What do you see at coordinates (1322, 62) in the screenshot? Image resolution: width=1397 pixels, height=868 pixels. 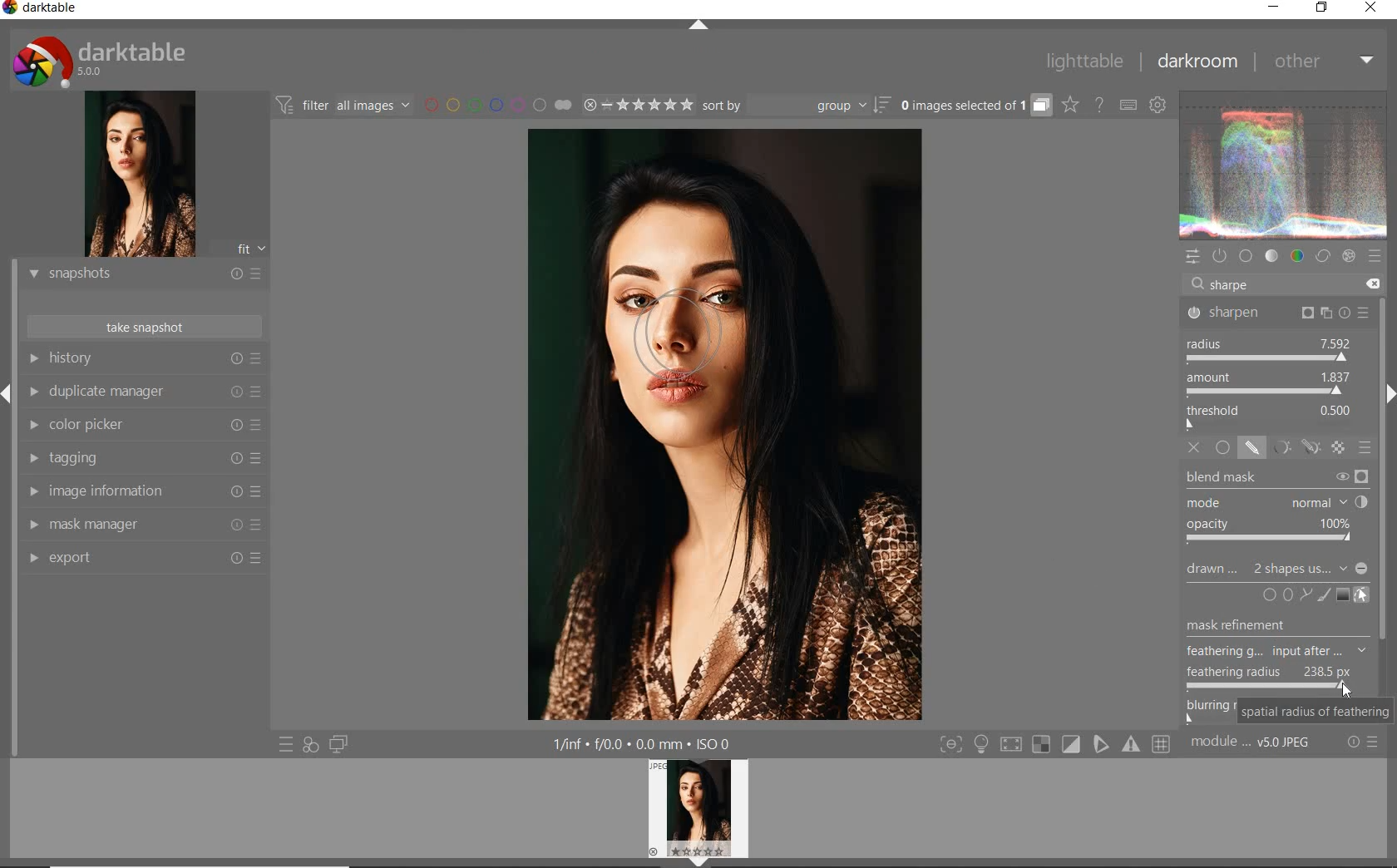 I see `OTHER` at bounding box center [1322, 62].